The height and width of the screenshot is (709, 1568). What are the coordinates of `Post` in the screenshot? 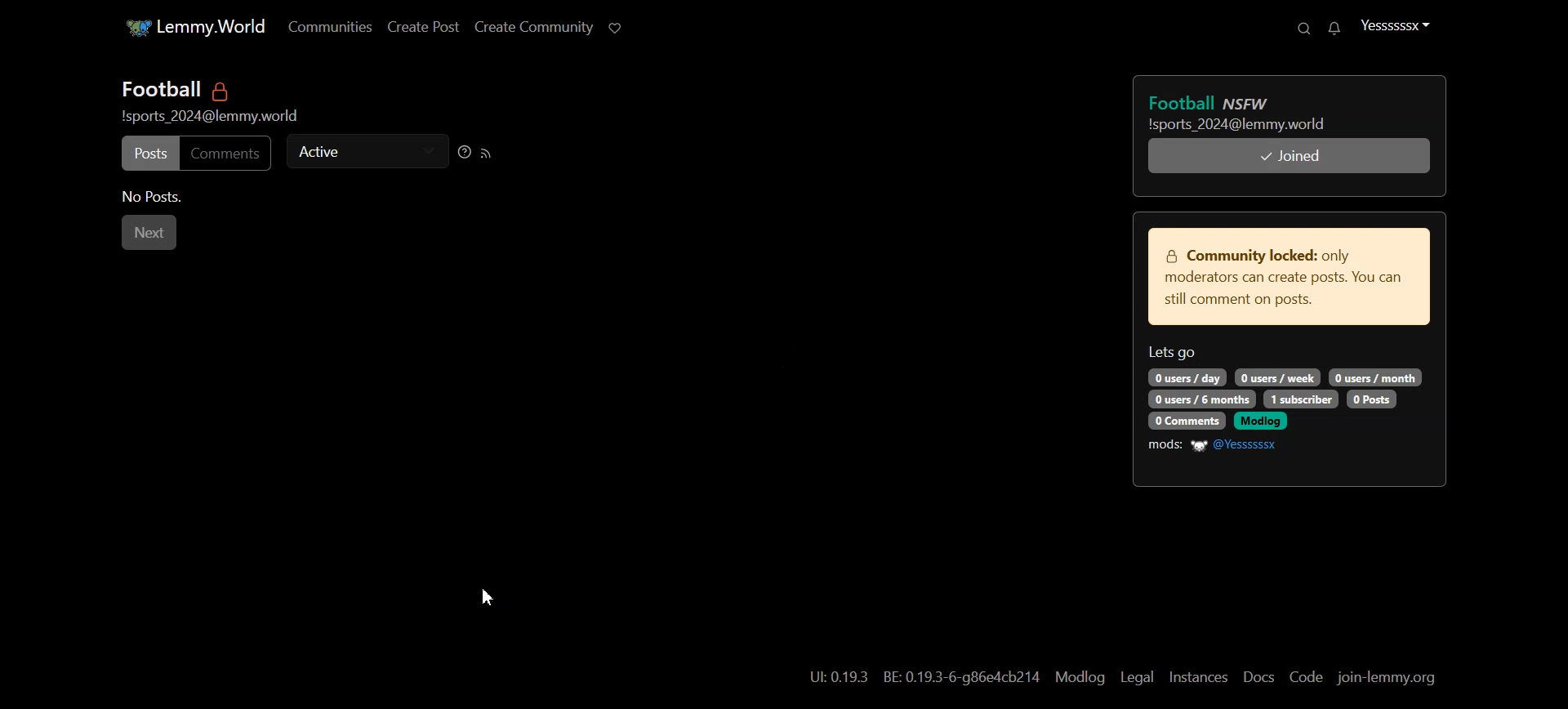 It's located at (148, 153).